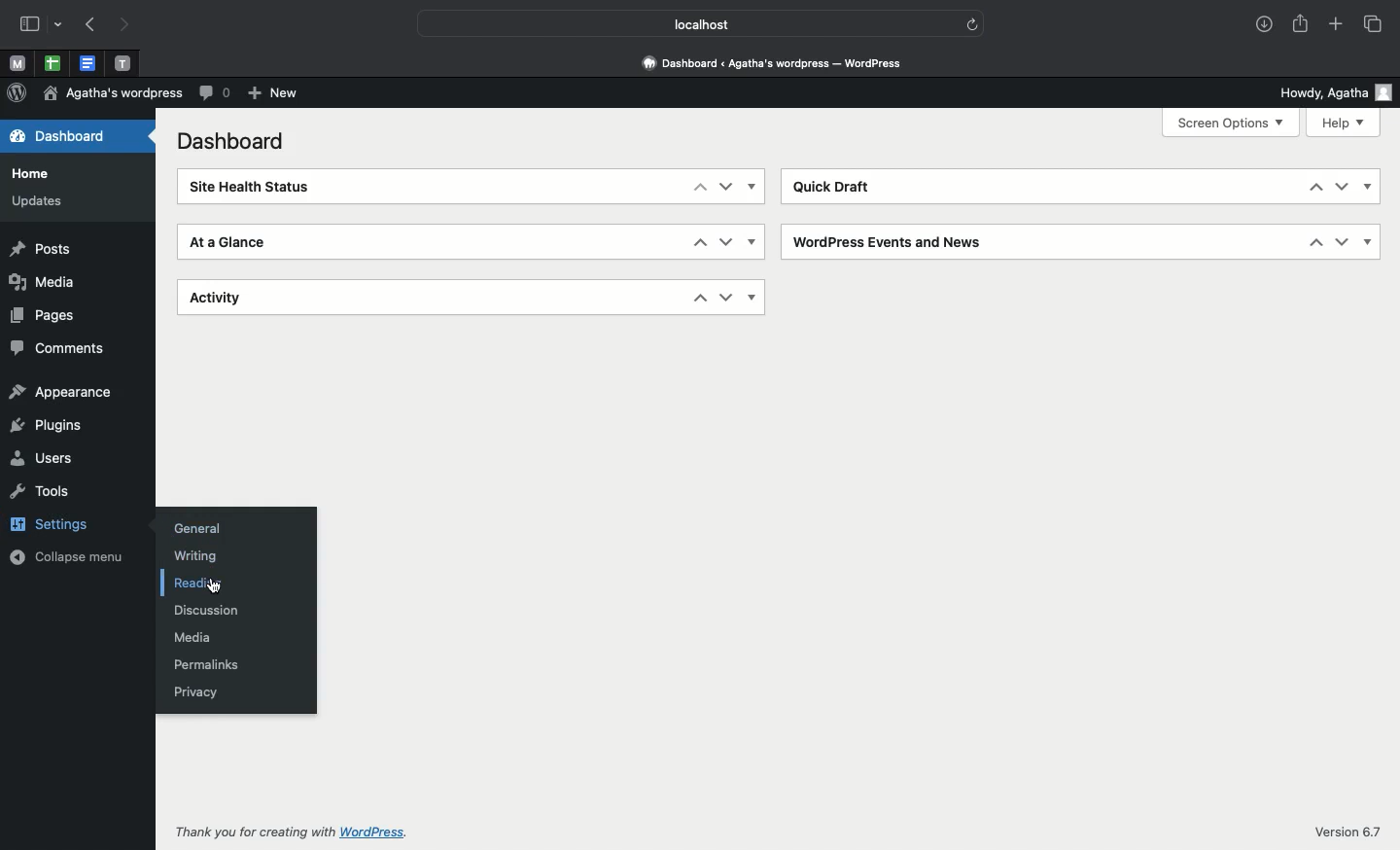 Image resolution: width=1400 pixels, height=850 pixels. What do you see at coordinates (1234, 123) in the screenshot?
I see `Screen options` at bounding box center [1234, 123].